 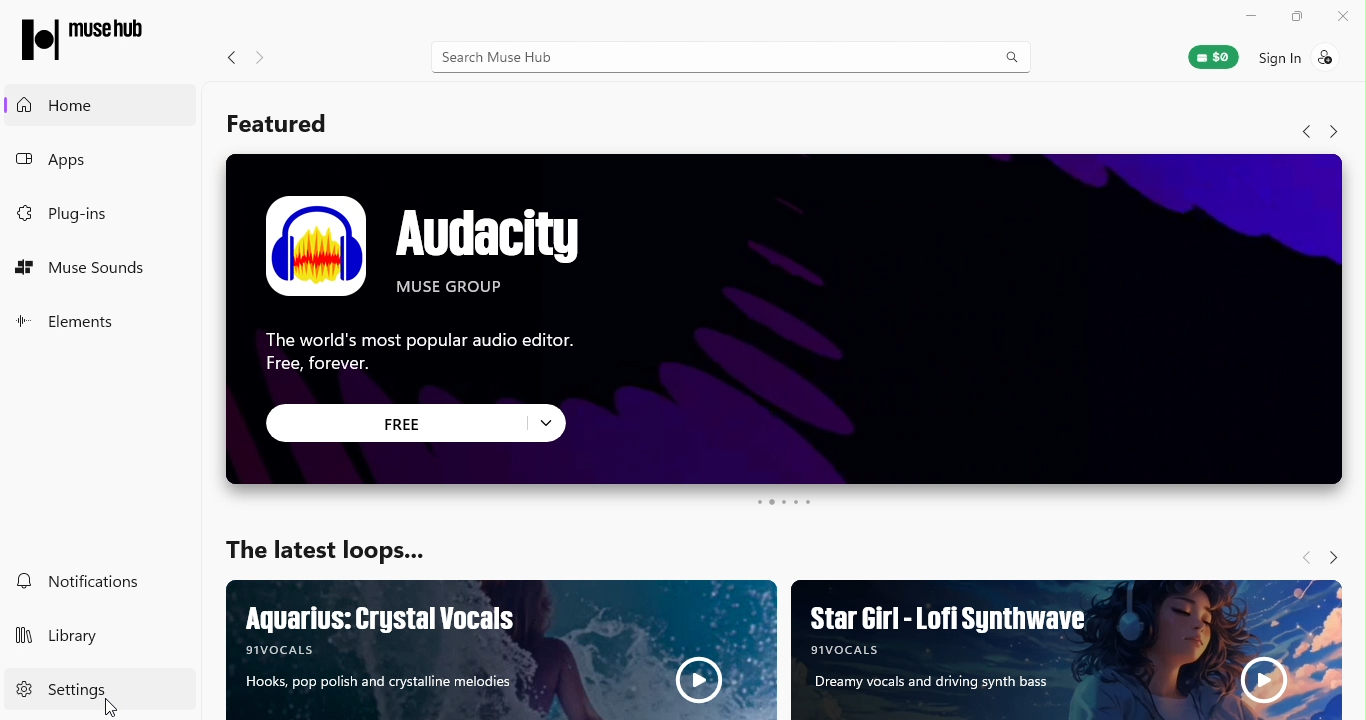 I want to click on Navigate back, so click(x=1300, y=556).